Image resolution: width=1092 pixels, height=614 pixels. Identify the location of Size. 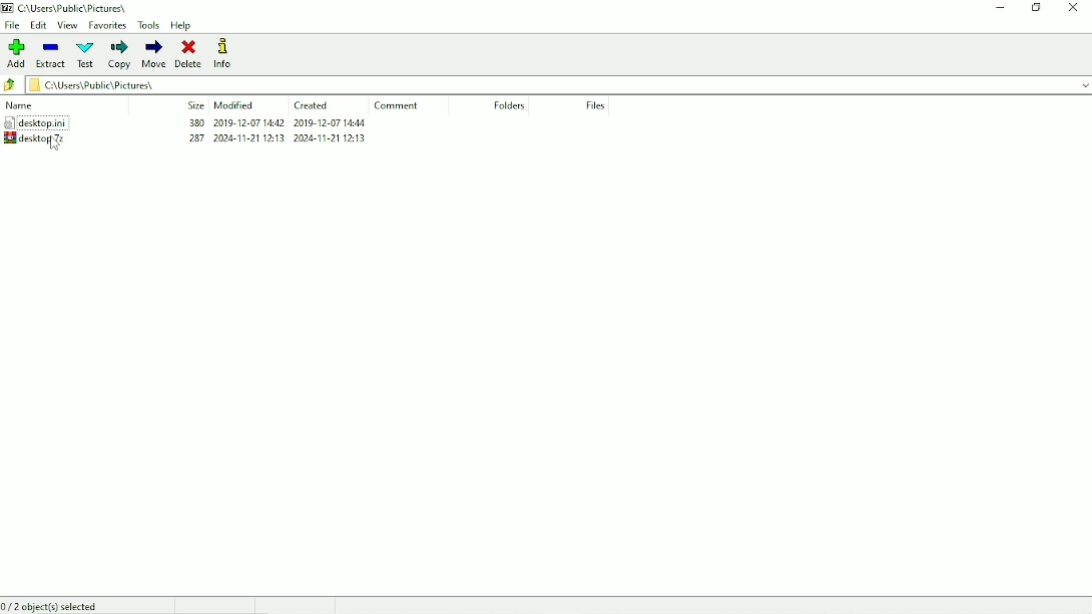
(194, 104).